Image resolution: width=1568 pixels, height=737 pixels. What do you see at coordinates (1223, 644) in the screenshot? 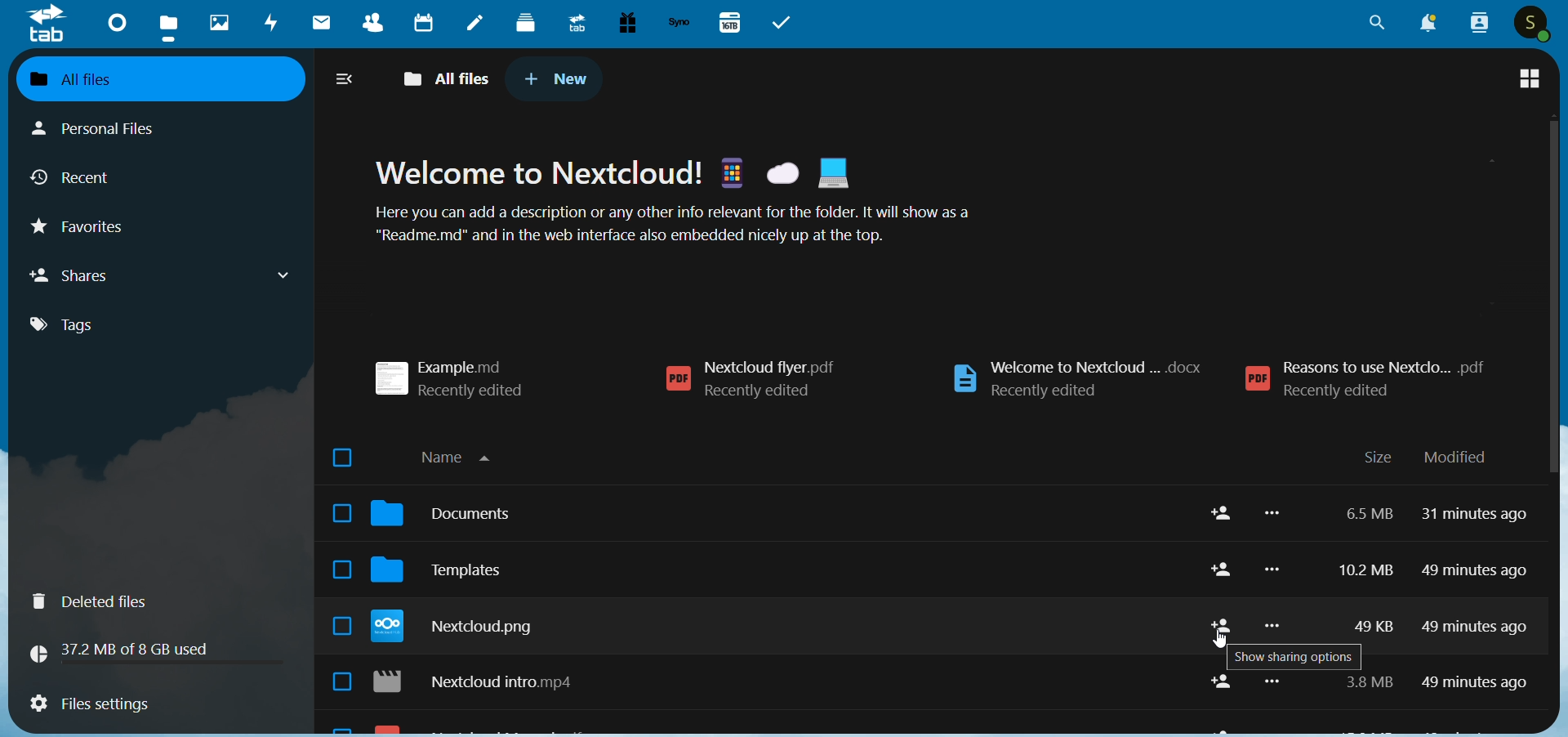
I see `cursor` at bounding box center [1223, 644].